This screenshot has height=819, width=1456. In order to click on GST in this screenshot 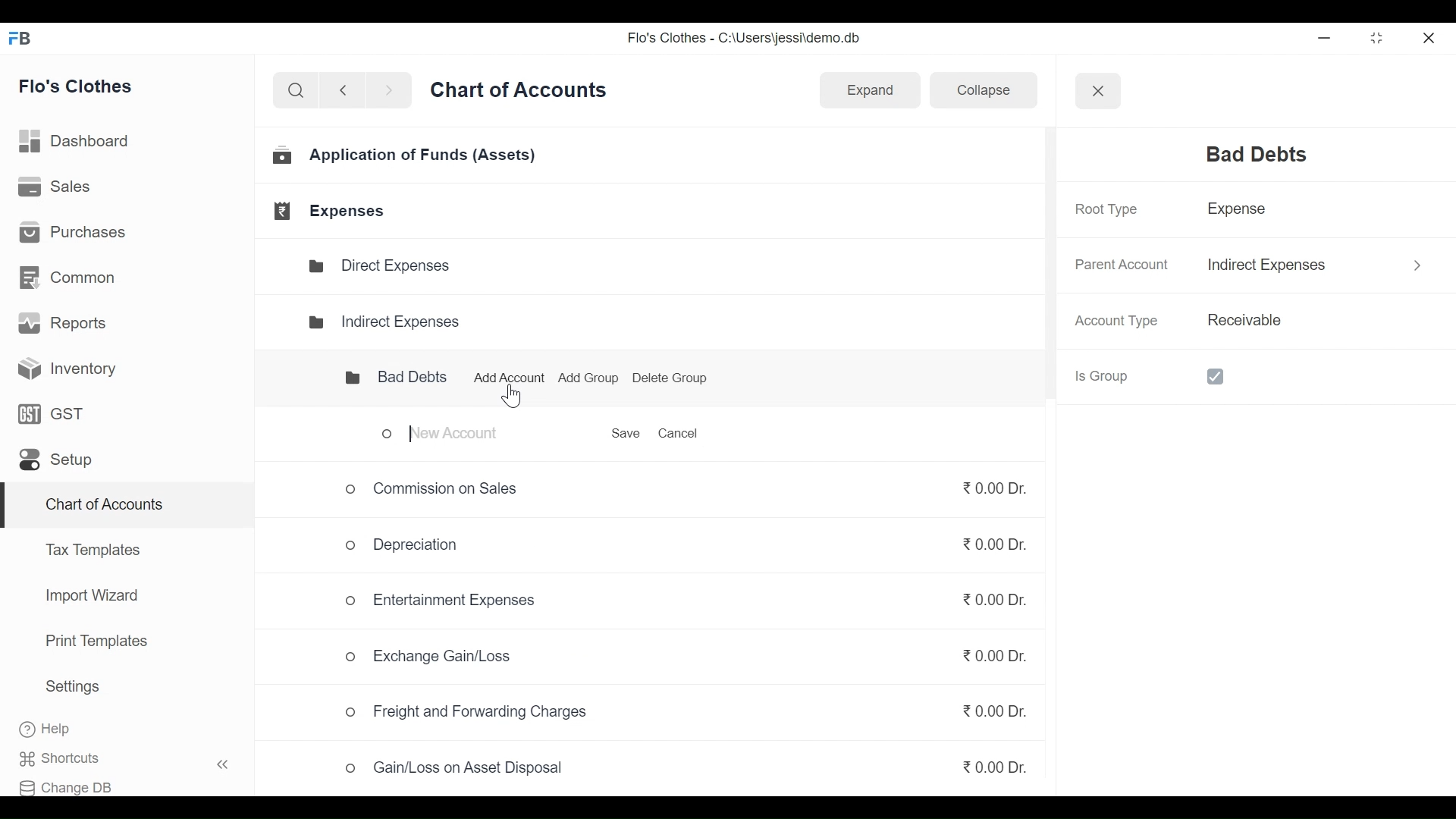, I will do `click(52, 416)`.